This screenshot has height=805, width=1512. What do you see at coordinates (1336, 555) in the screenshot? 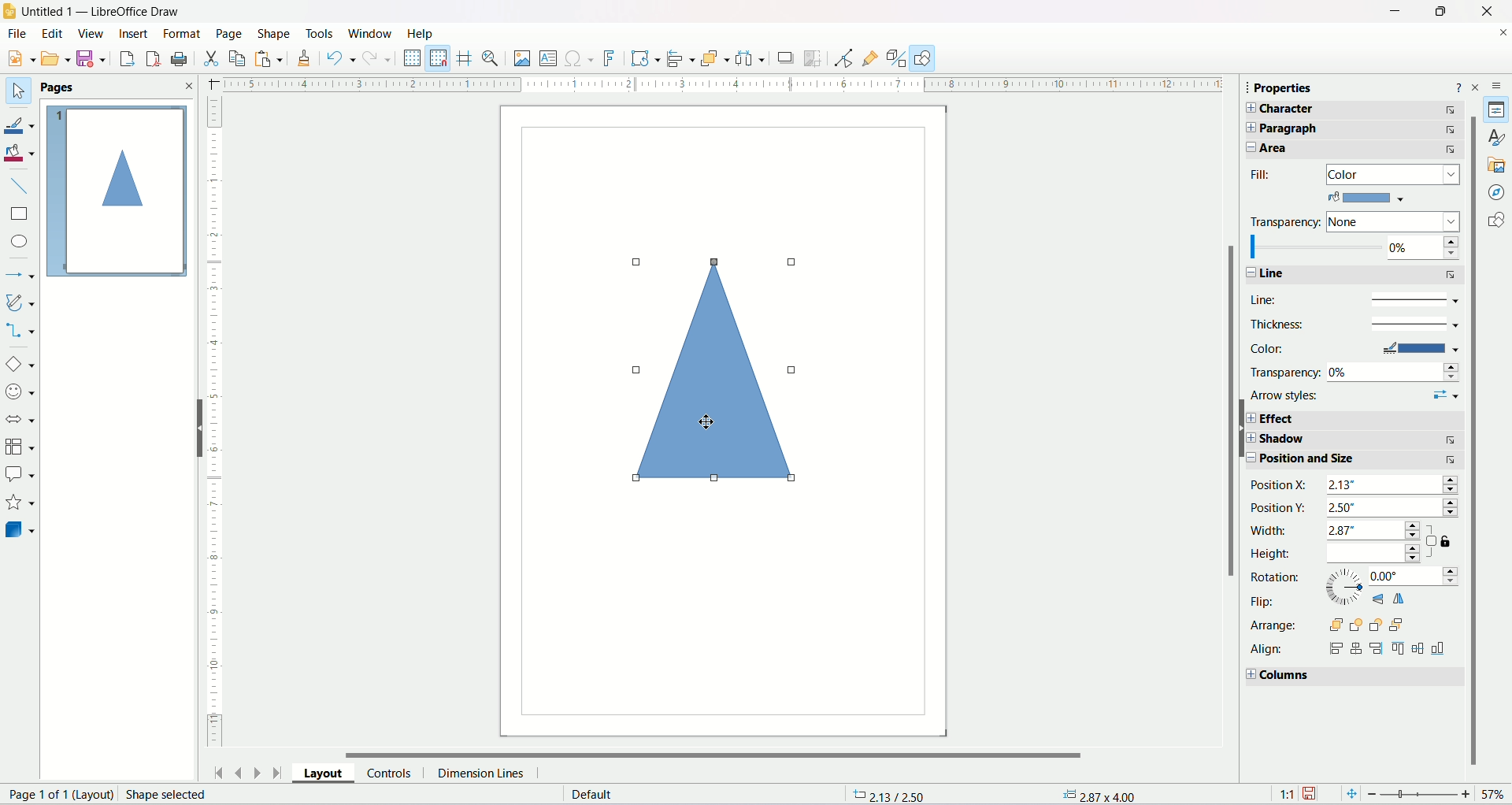
I see `height` at bounding box center [1336, 555].